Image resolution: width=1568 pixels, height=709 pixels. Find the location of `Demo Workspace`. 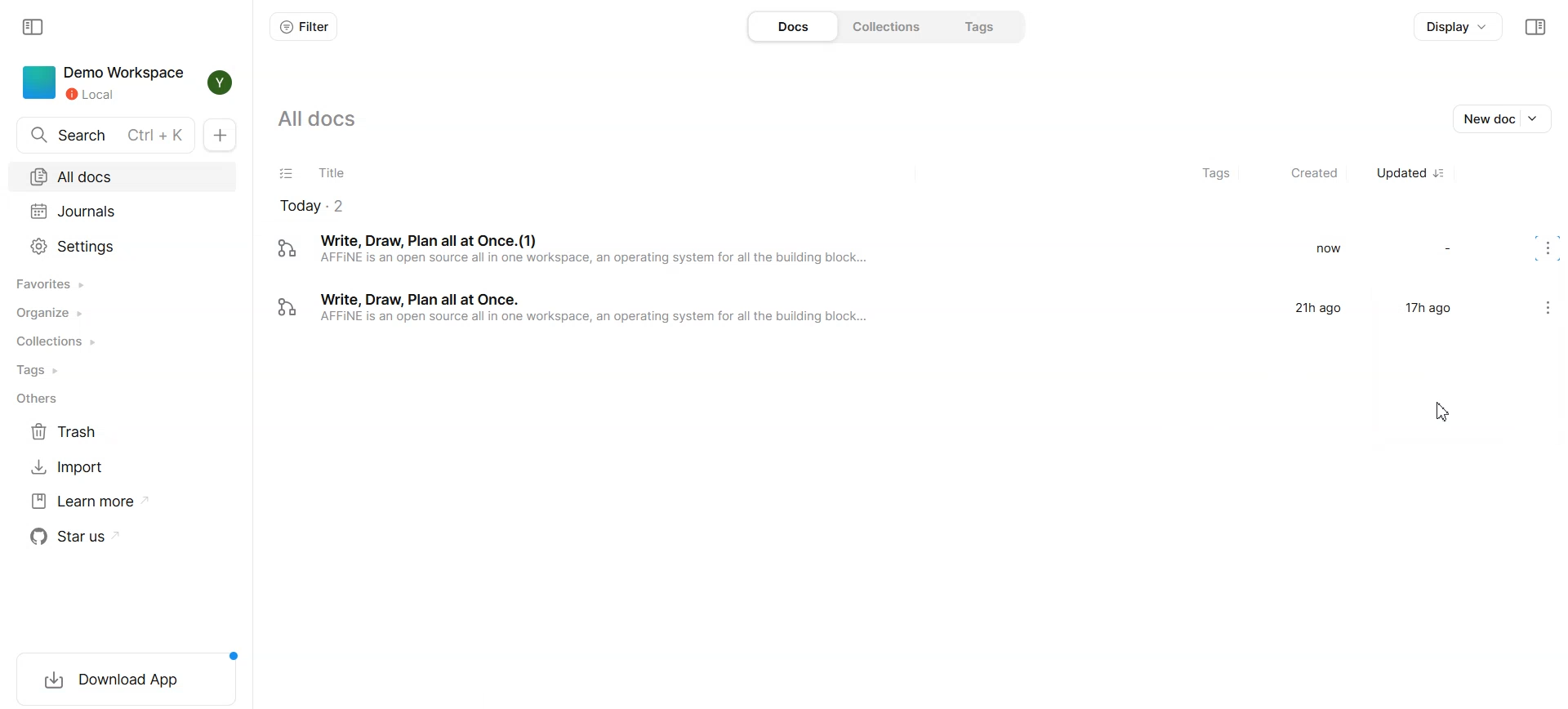

Demo Workspace is located at coordinates (105, 82).